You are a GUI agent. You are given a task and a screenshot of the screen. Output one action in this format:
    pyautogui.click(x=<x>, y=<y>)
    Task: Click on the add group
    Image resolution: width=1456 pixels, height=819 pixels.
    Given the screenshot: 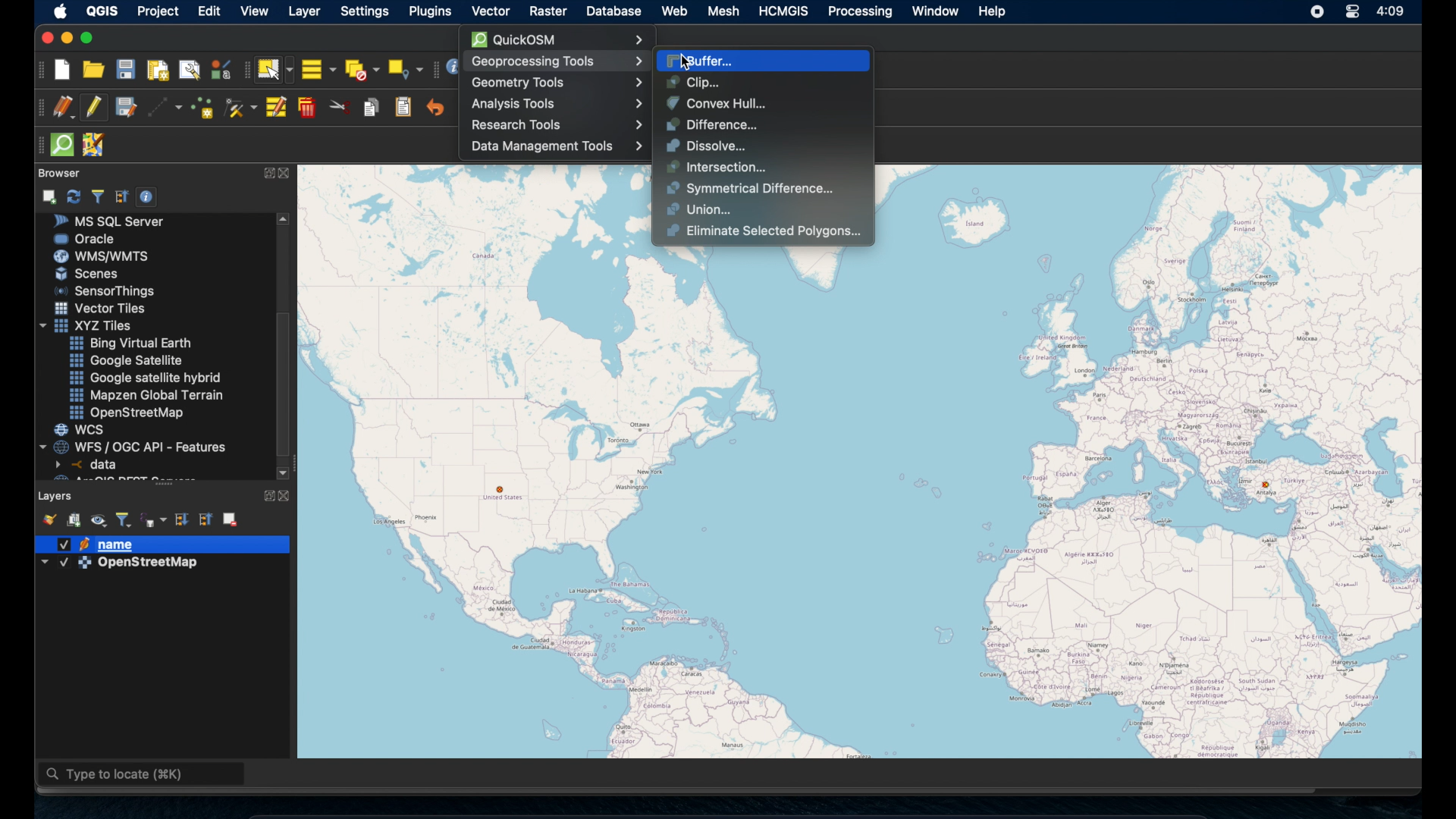 What is the action you would take?
    pyautogui.click(x=74, y=521)
    